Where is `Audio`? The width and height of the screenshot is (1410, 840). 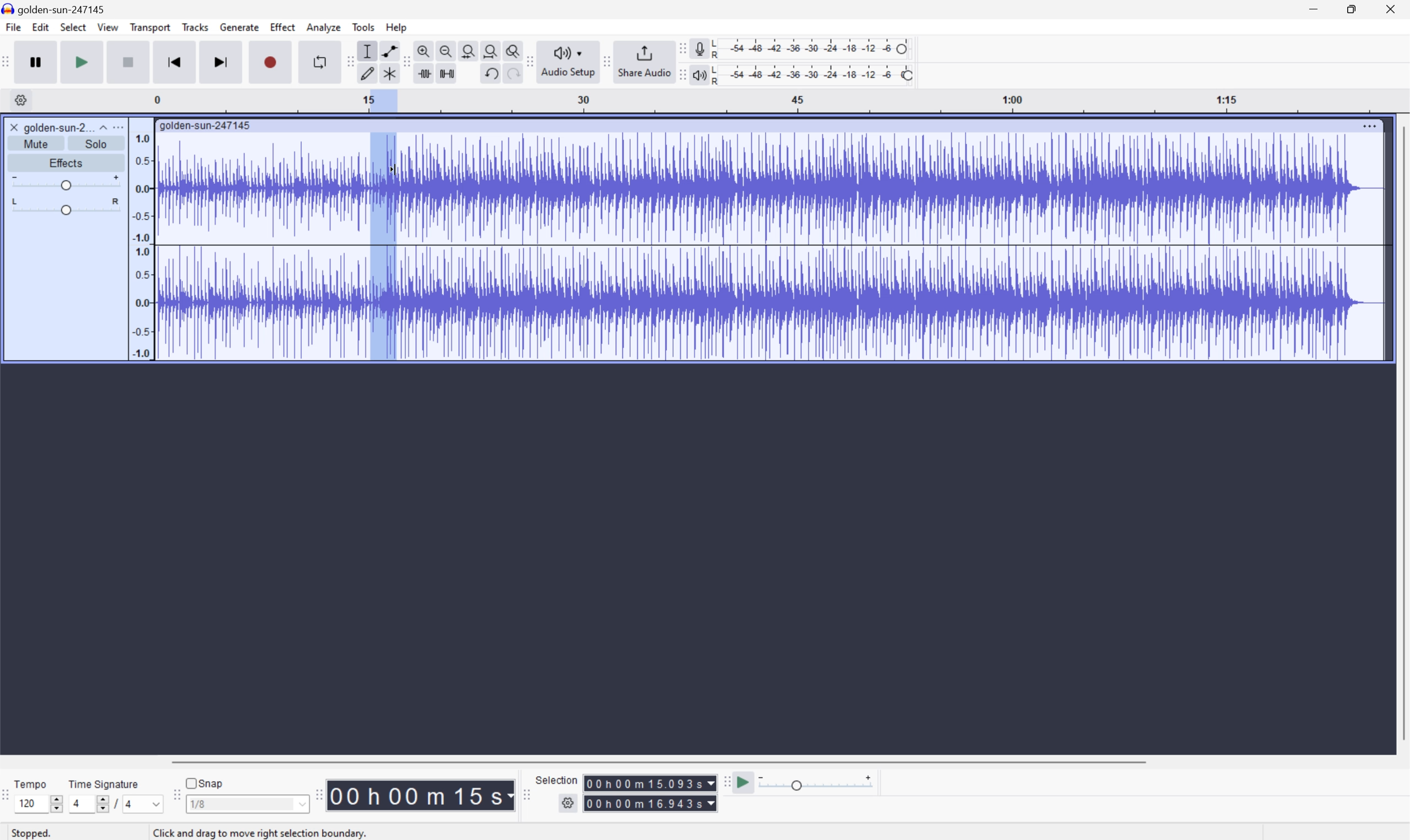 Audio is located at coordinates (771, 248).